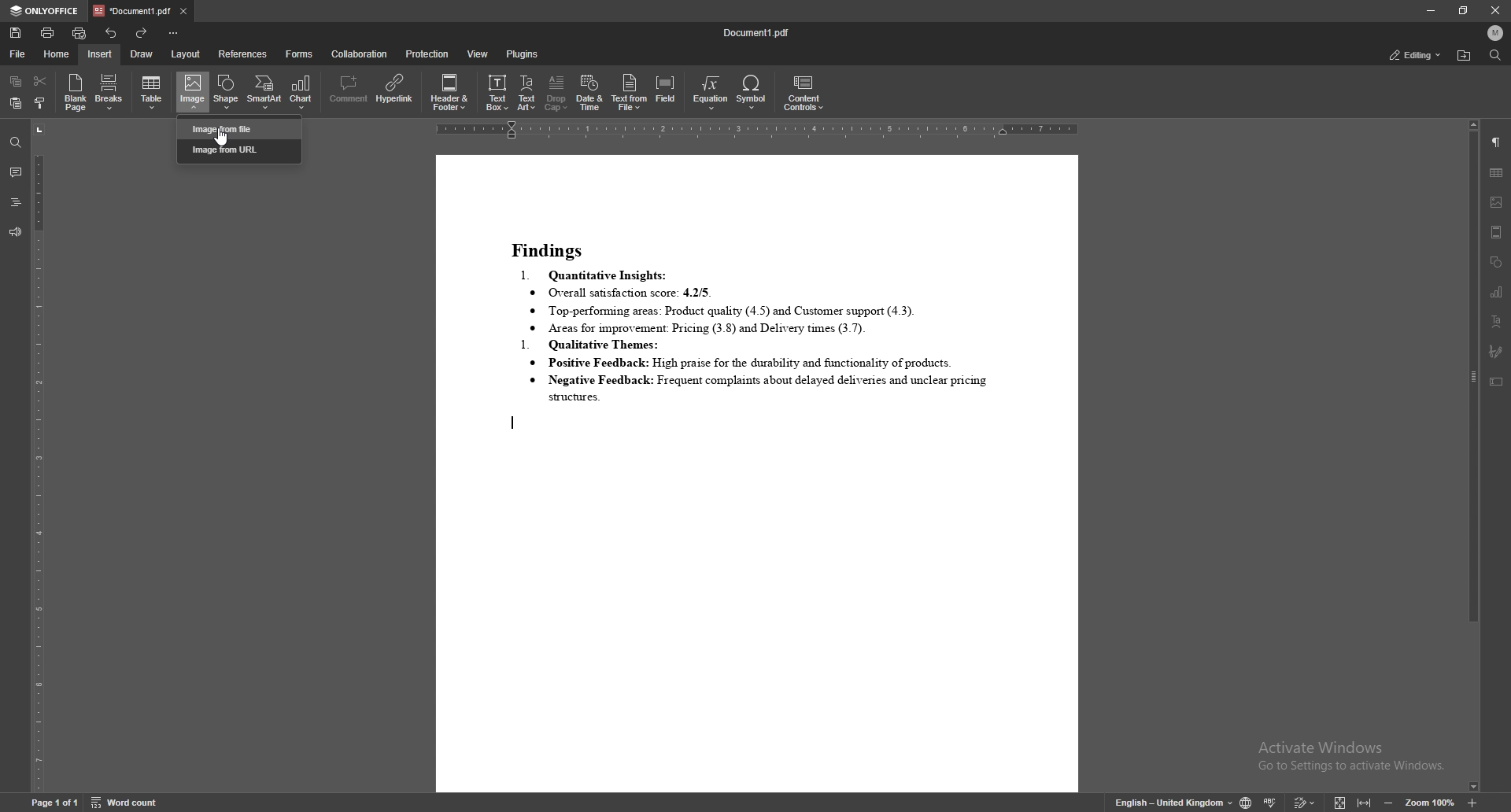 The height and width of the screenshot is (812, 1511). What do you see at coordinates (1495, 32) in the screenshot?
I see `profile` at bounding box center [1495, 32].